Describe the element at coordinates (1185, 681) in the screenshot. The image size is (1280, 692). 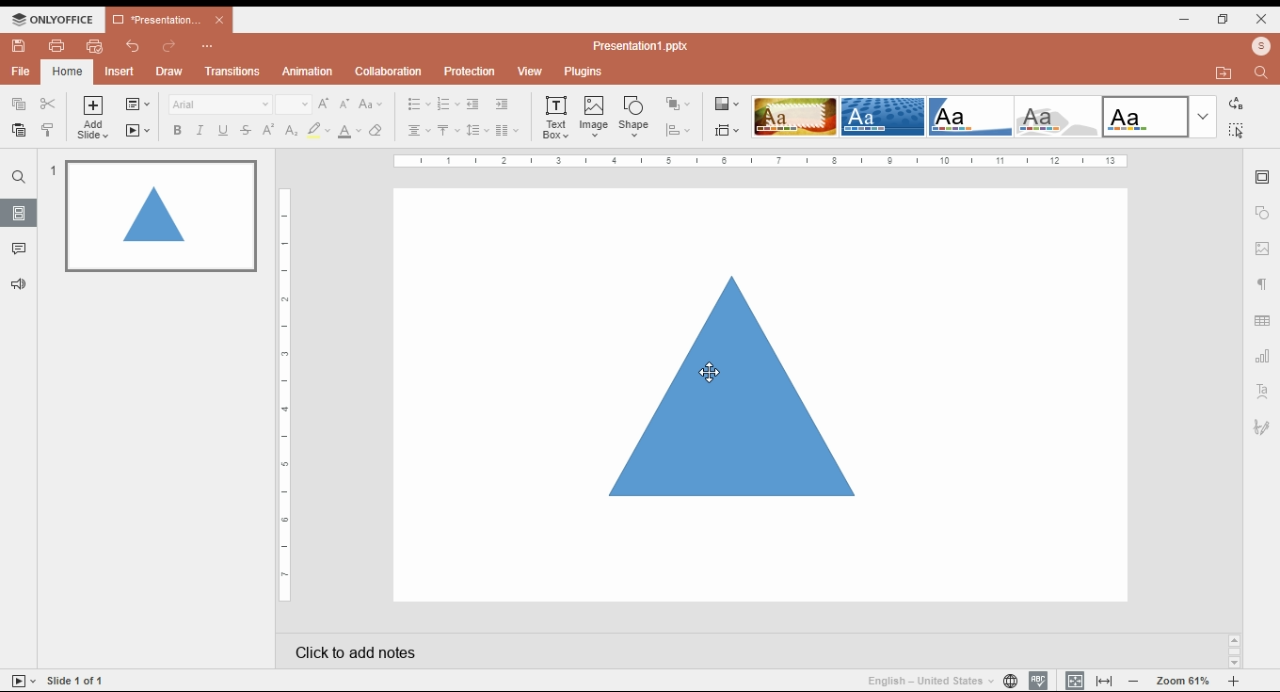
I see `zoom in/zoom out` at that location.